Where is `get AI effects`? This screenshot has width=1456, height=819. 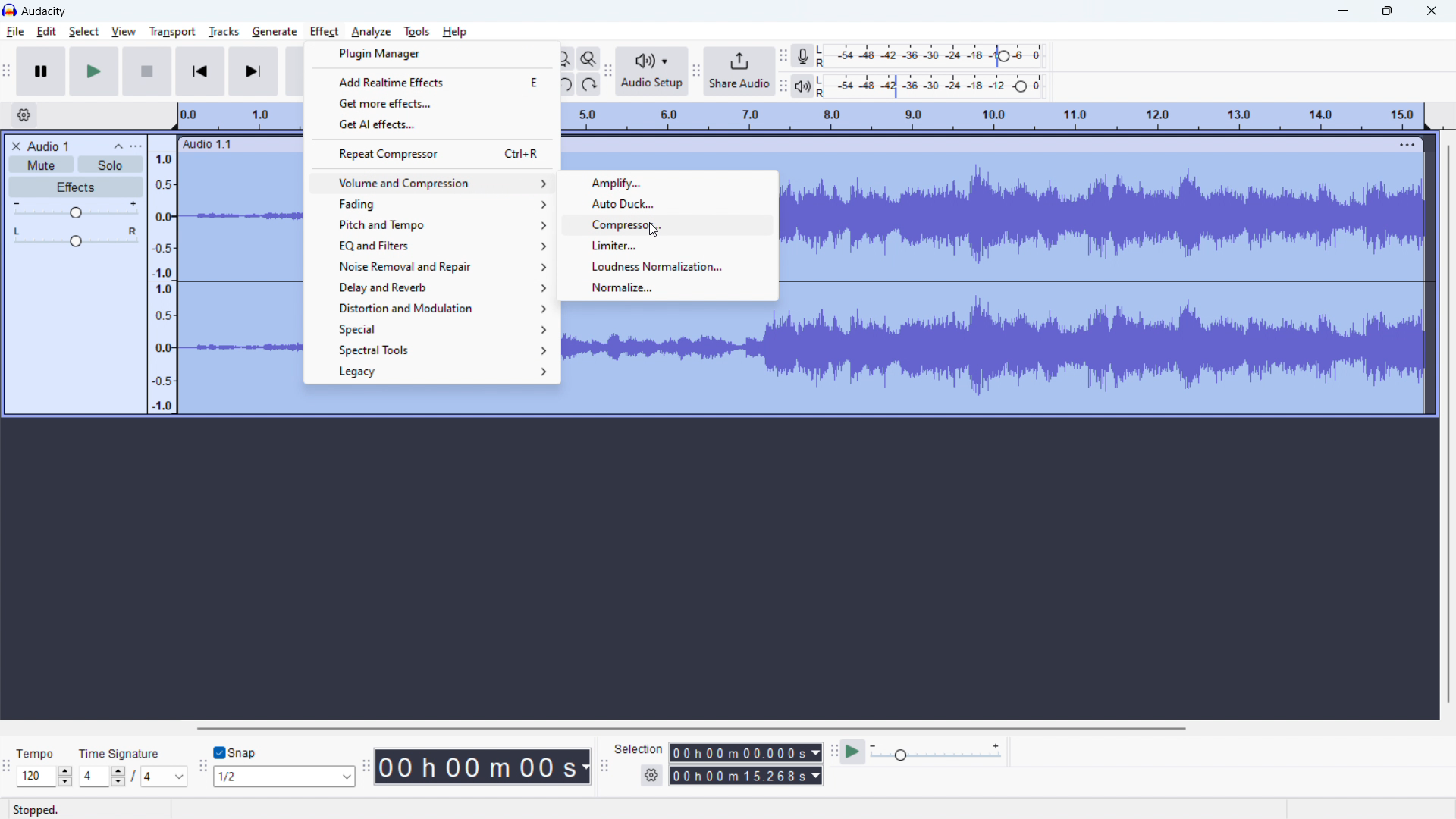
get AI effects is located at coordinates (431, 124).